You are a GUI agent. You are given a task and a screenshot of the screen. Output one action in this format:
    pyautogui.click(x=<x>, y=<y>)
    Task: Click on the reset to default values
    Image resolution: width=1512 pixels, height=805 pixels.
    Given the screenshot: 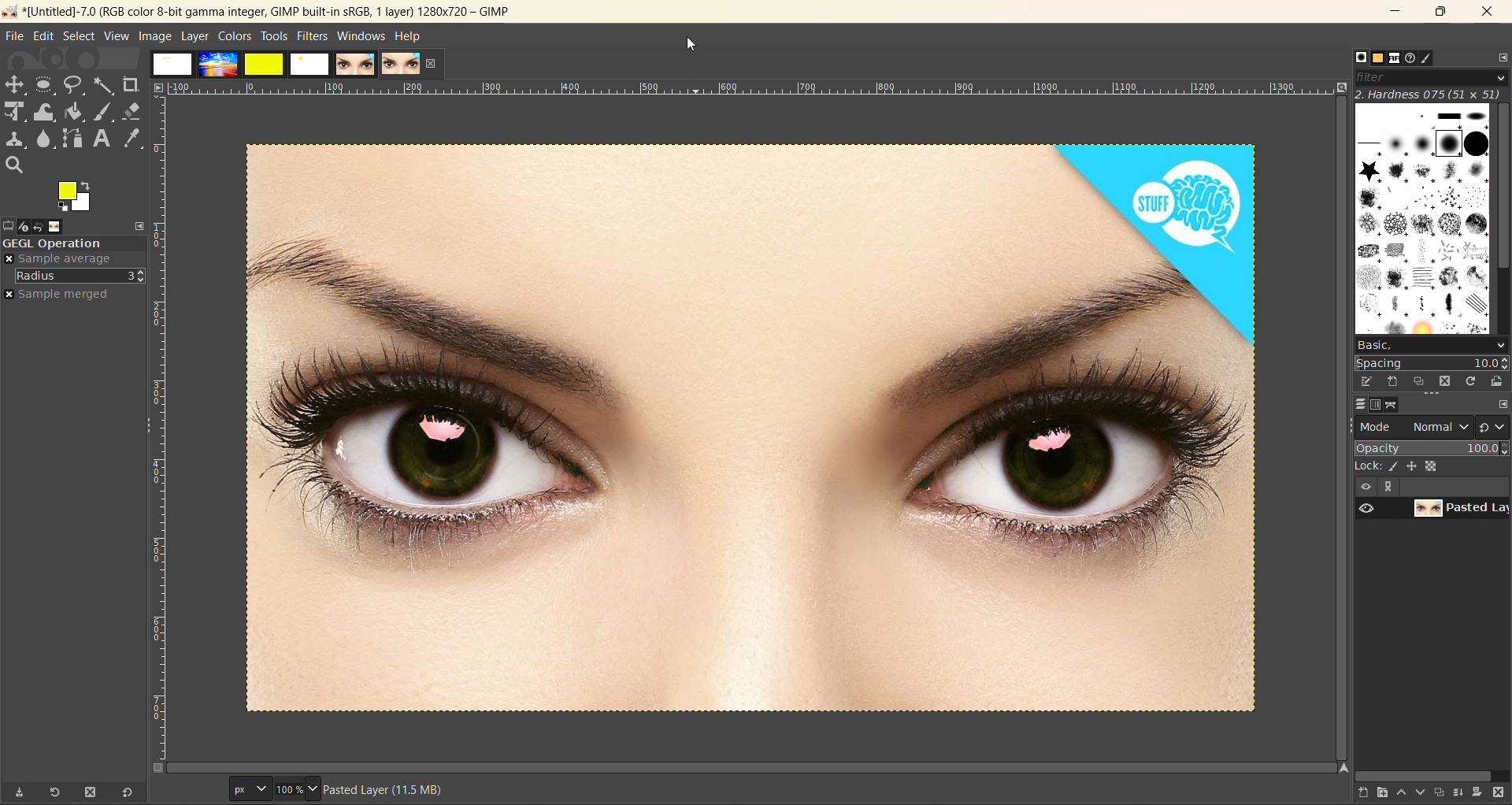 What is the action you would take?
    pyautogui.click(x=131, y=793)
    